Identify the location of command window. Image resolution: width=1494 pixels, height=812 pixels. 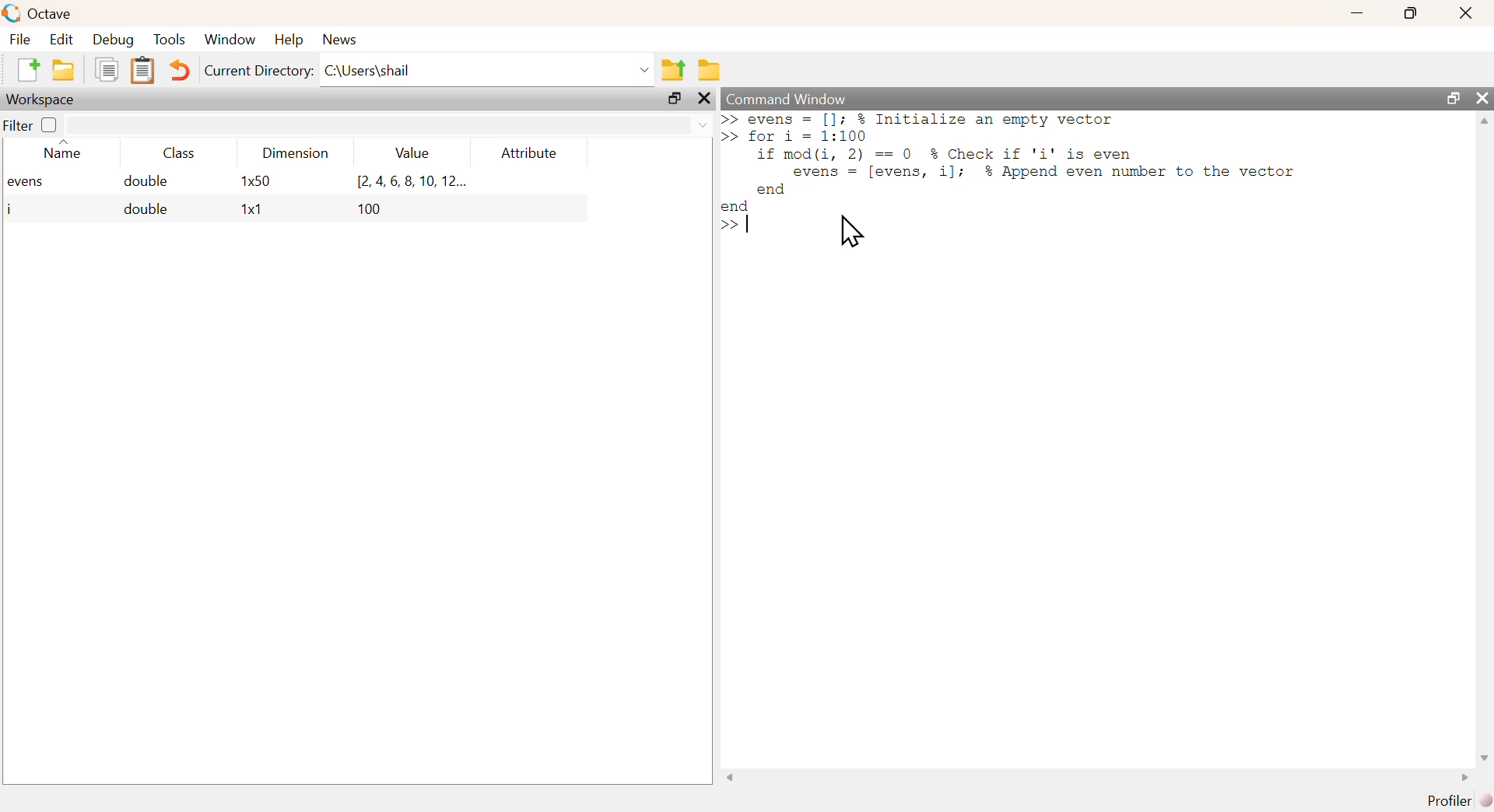
(792, 98).